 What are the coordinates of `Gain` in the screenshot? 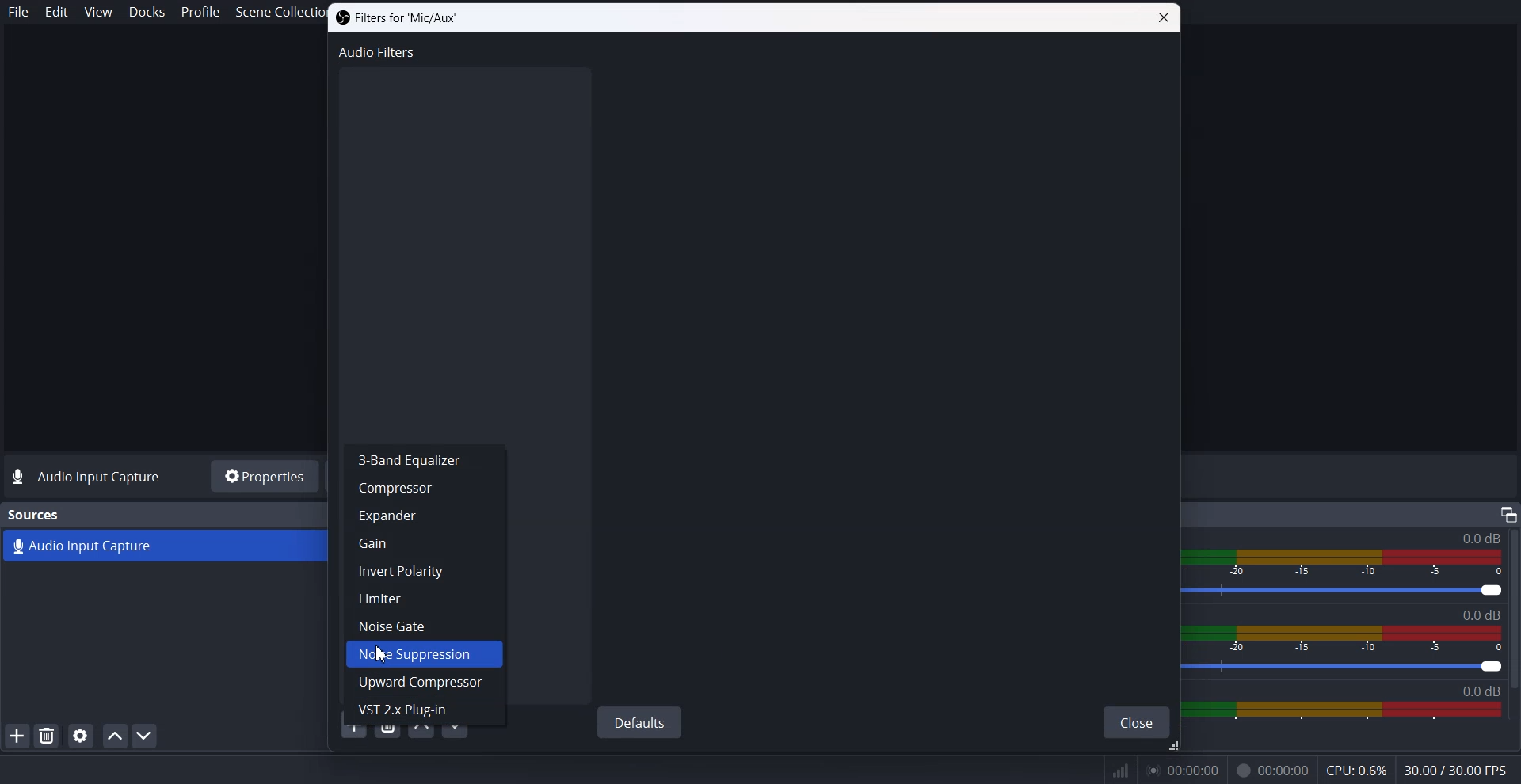 It's located at (423, 543).